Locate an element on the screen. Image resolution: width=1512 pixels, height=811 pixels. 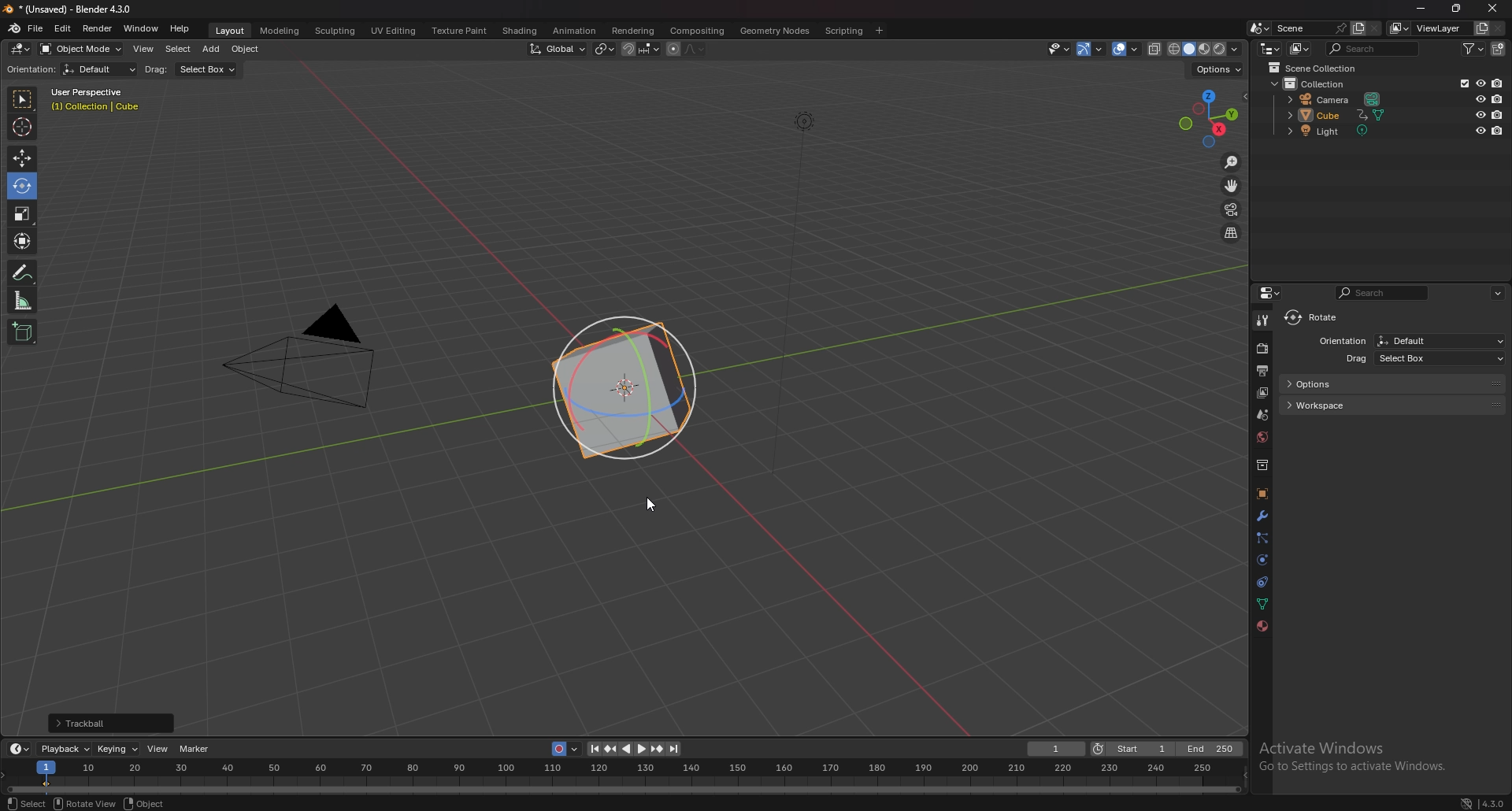
select box is located at coordinates (209, 70).